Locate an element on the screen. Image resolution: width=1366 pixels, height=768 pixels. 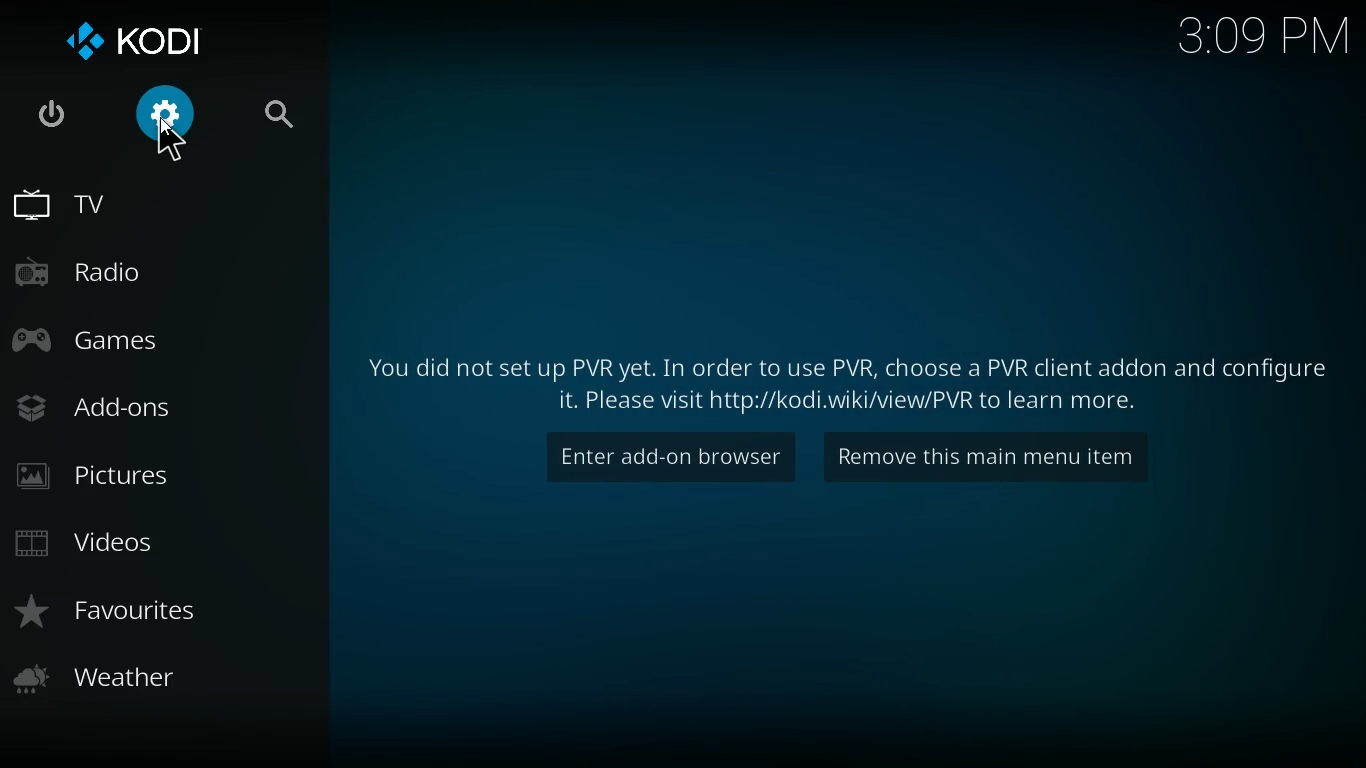
kodi logo is located at coordinates (141, 38).